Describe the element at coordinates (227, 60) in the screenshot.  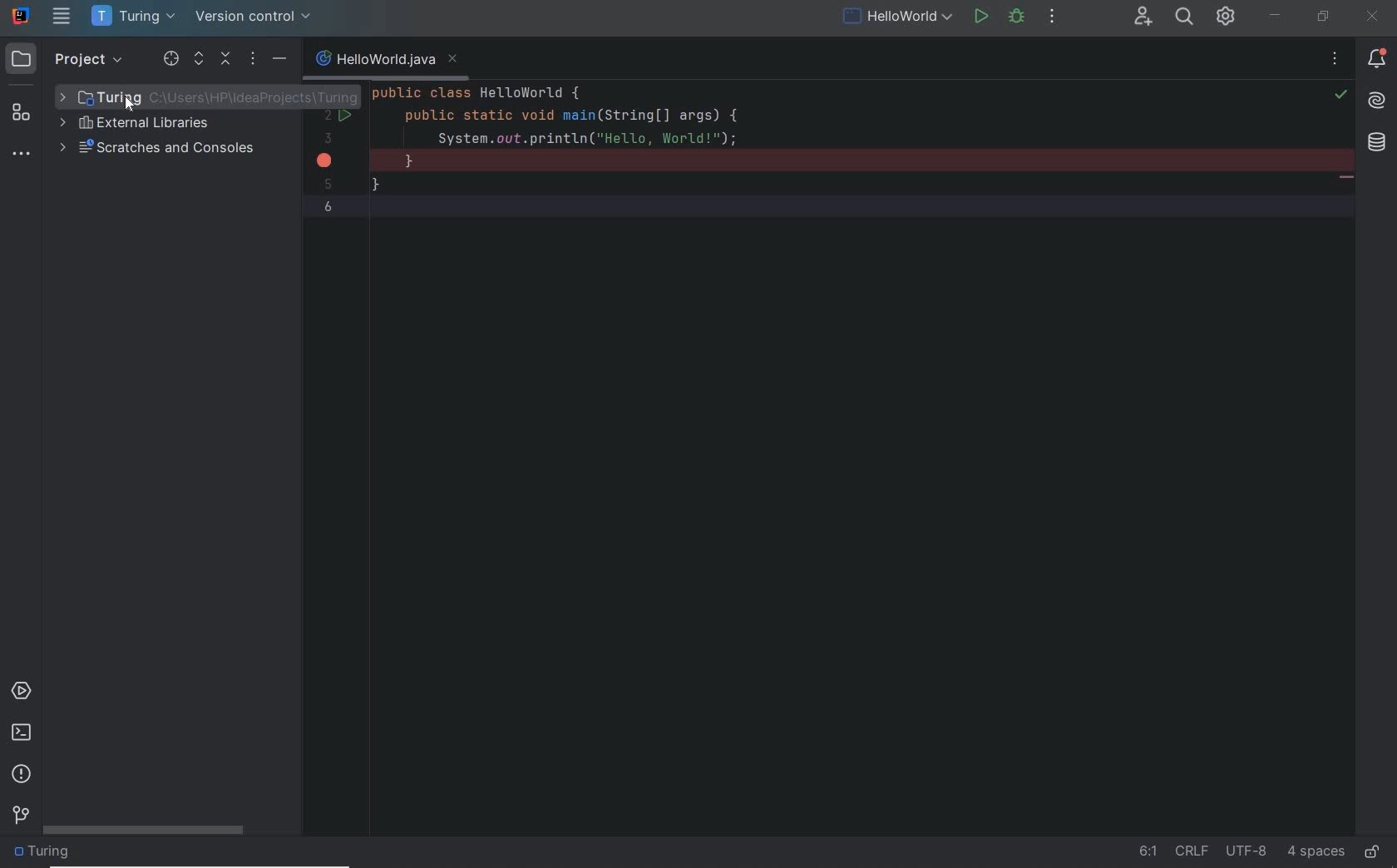
I see `collapse all` at that location.